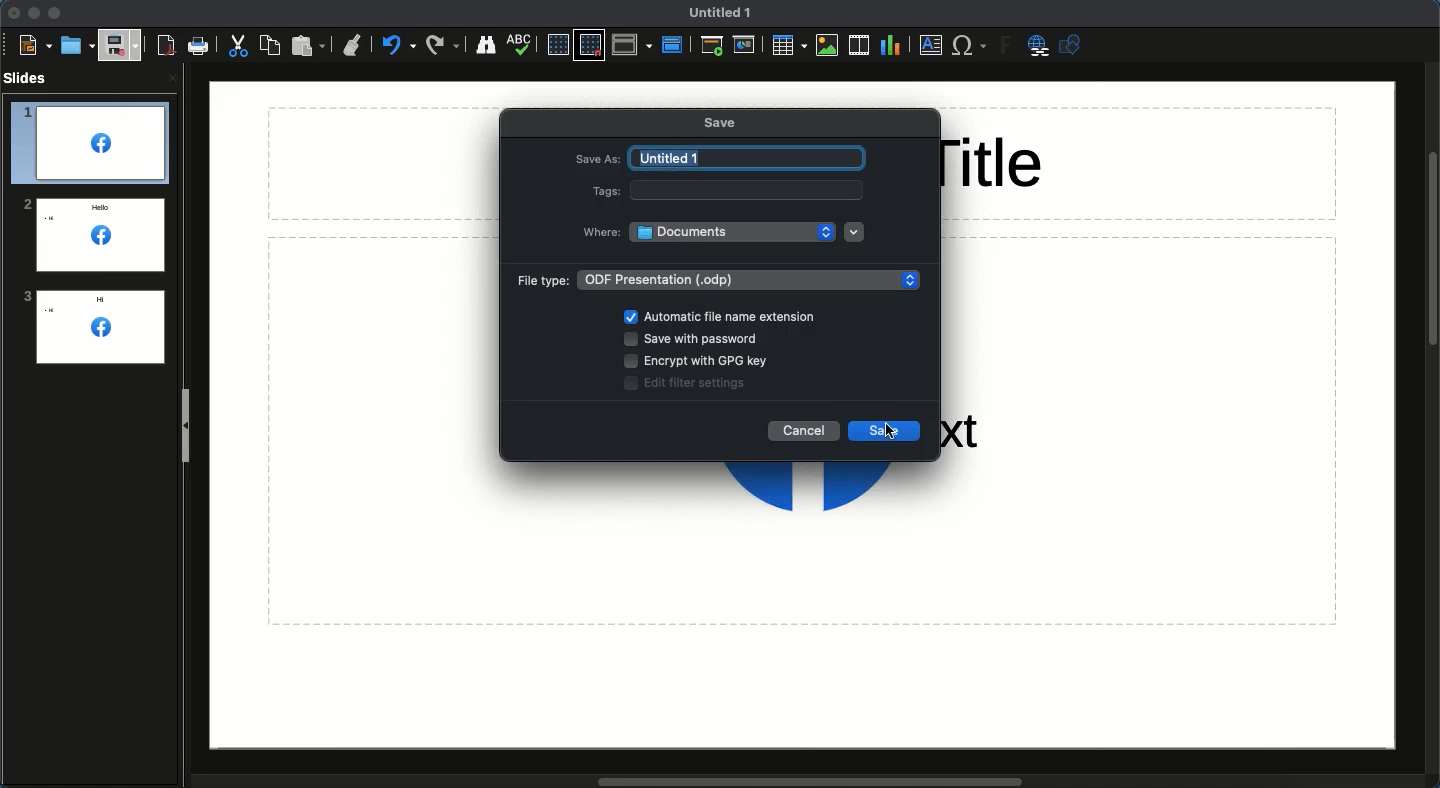 The image size is (1440, 788). Describe the element at coordinates (1038, 46) in the screenshot. I see `Hyperlink` at that location.